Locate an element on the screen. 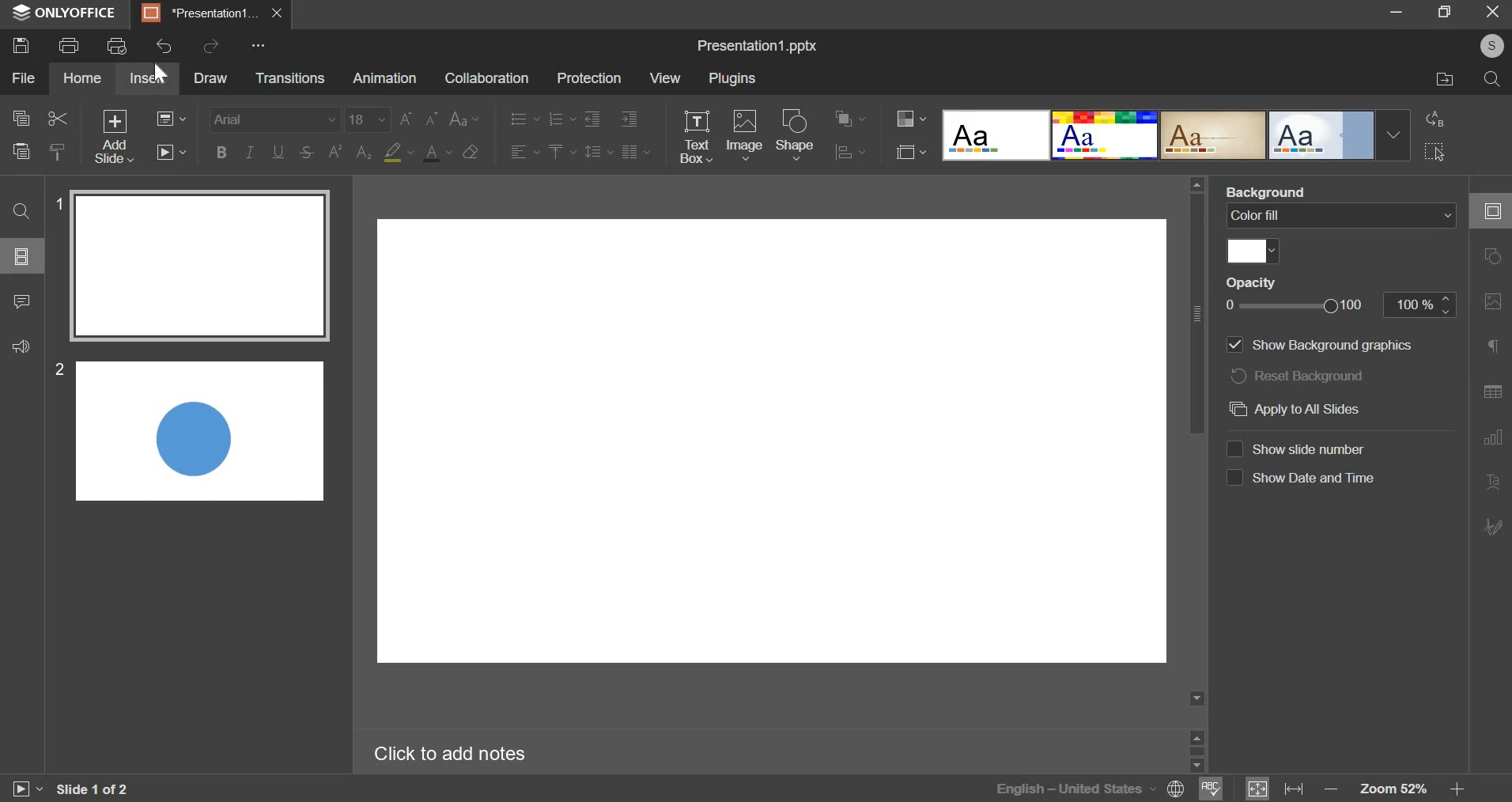  view is located at coordinates (665, 79).